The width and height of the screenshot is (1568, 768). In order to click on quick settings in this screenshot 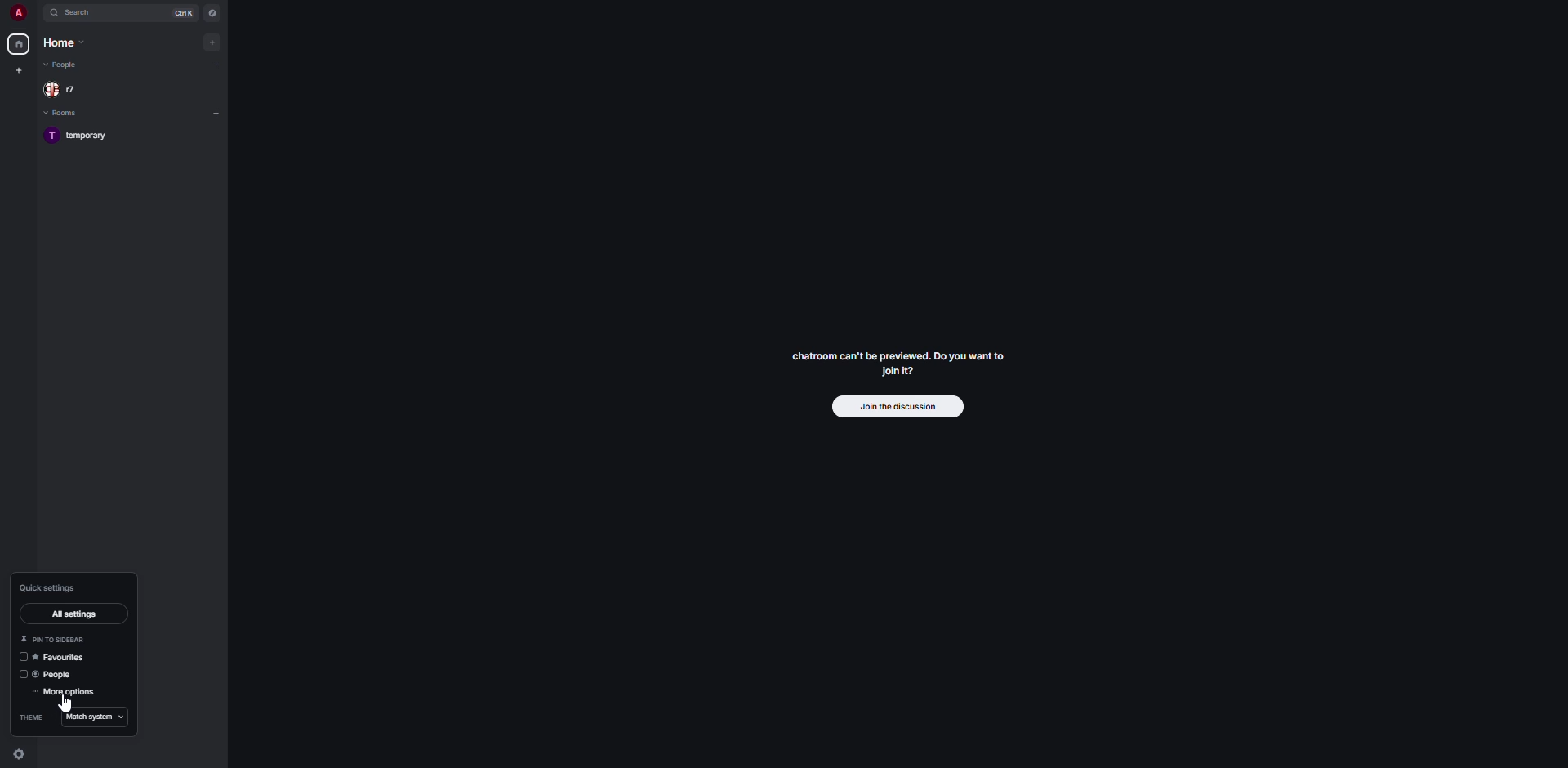, I will do `click(49, 585)`.